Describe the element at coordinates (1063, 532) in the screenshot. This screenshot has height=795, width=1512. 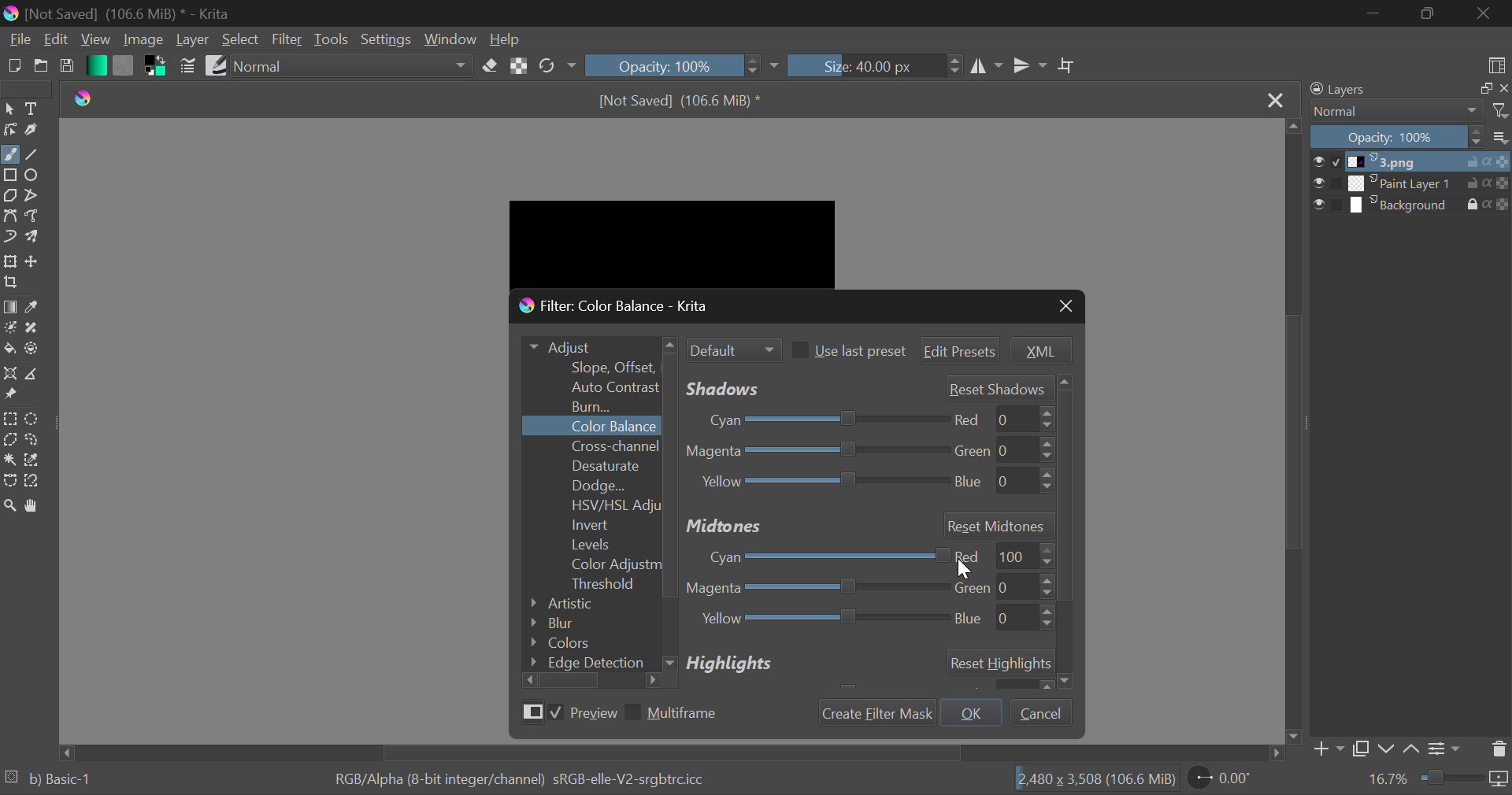
I see `` at that location.